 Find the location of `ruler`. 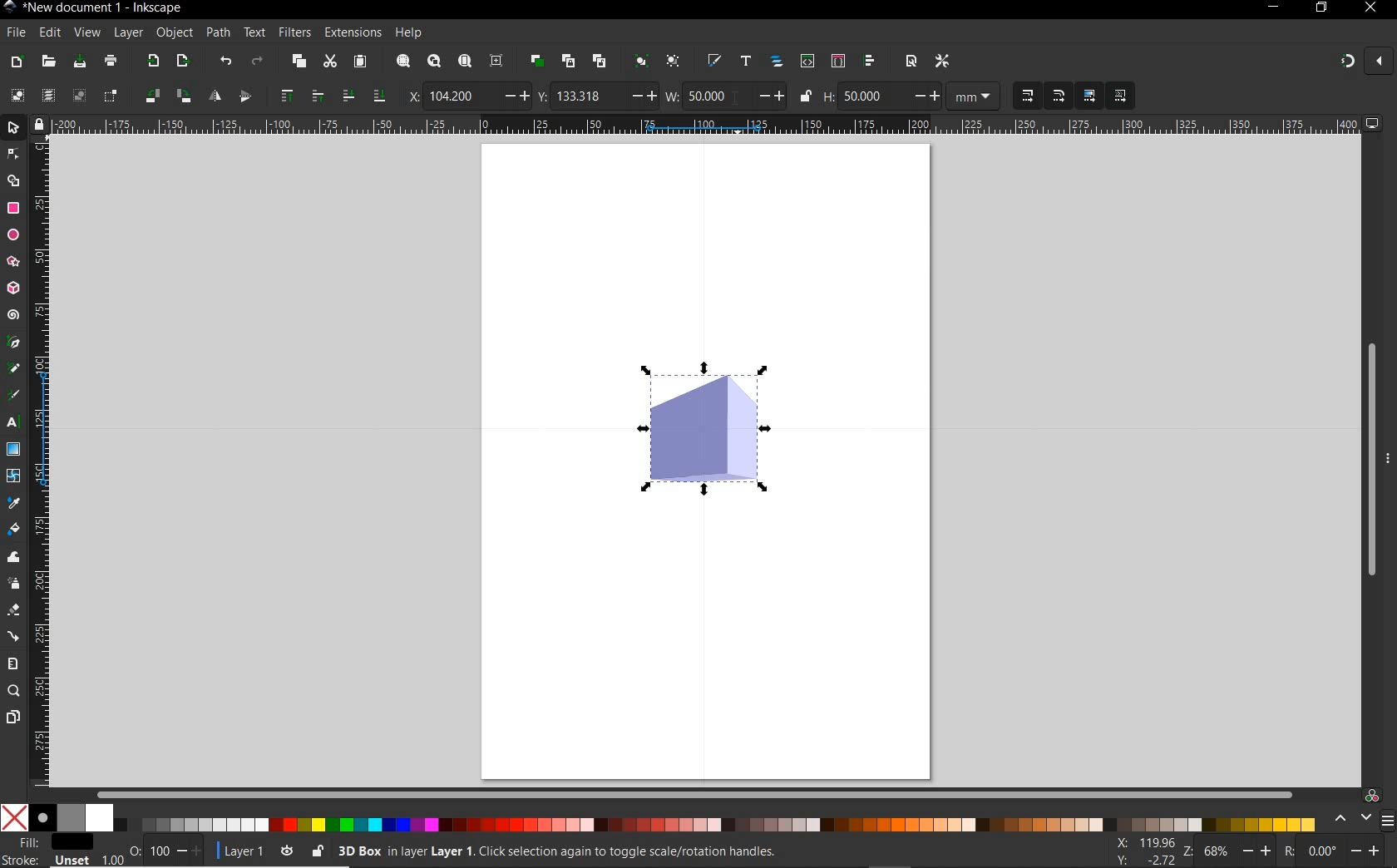

ruler is located at coordinates (705, 125).